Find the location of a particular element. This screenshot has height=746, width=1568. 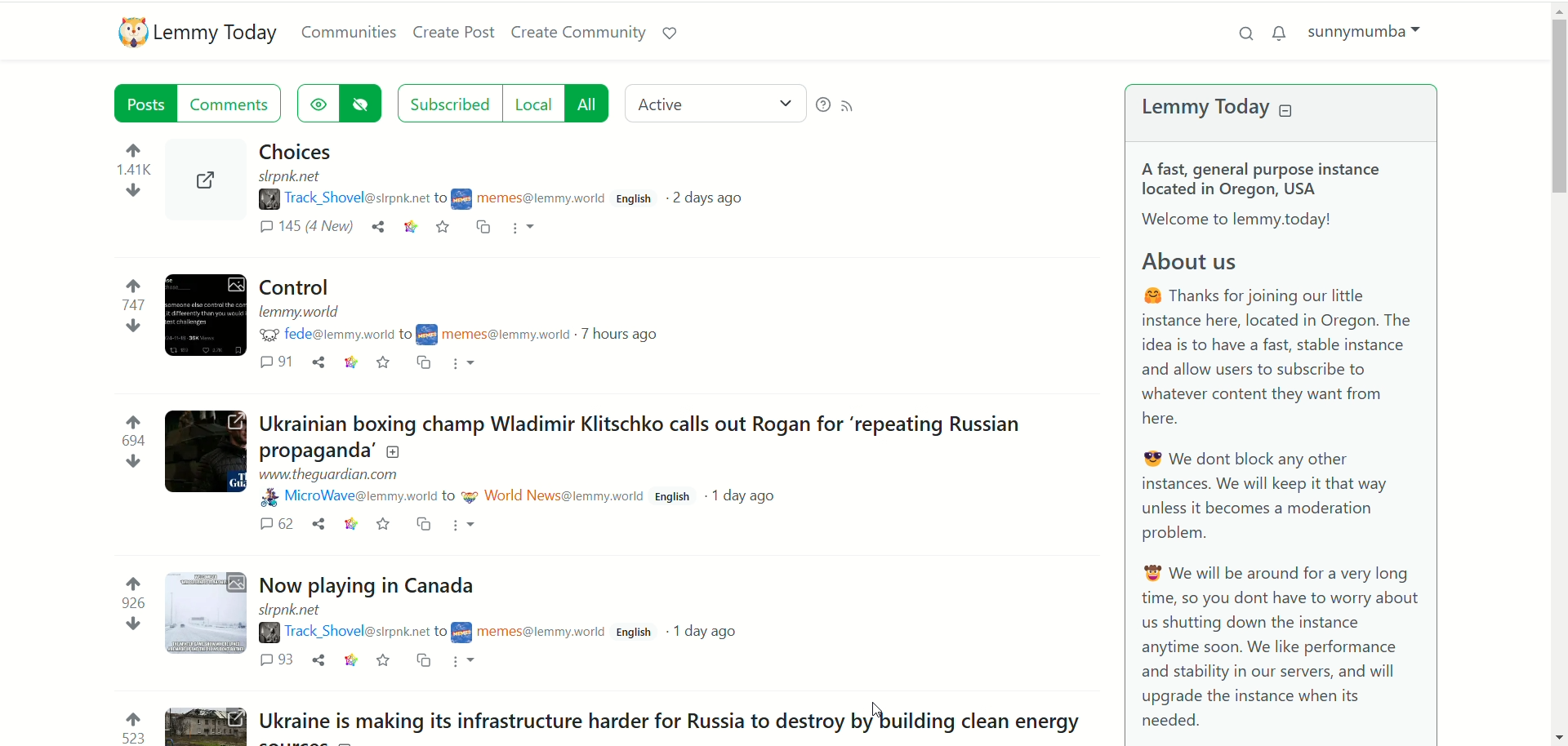

help is located at coordinates (822, 106).